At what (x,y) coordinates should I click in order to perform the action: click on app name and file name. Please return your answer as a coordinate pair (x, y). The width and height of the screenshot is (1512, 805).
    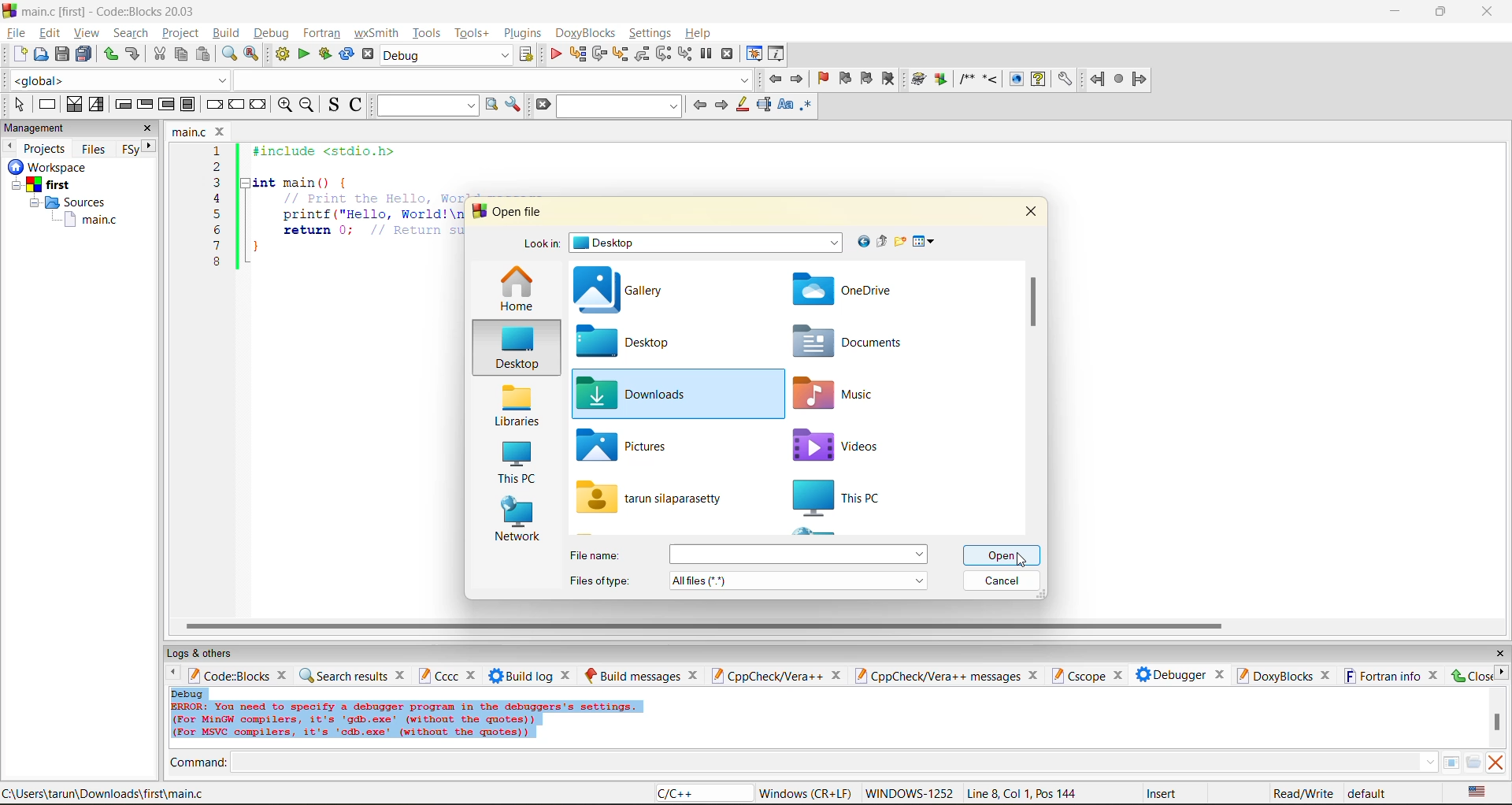
    Looking at the image, I should click on (112, 10).